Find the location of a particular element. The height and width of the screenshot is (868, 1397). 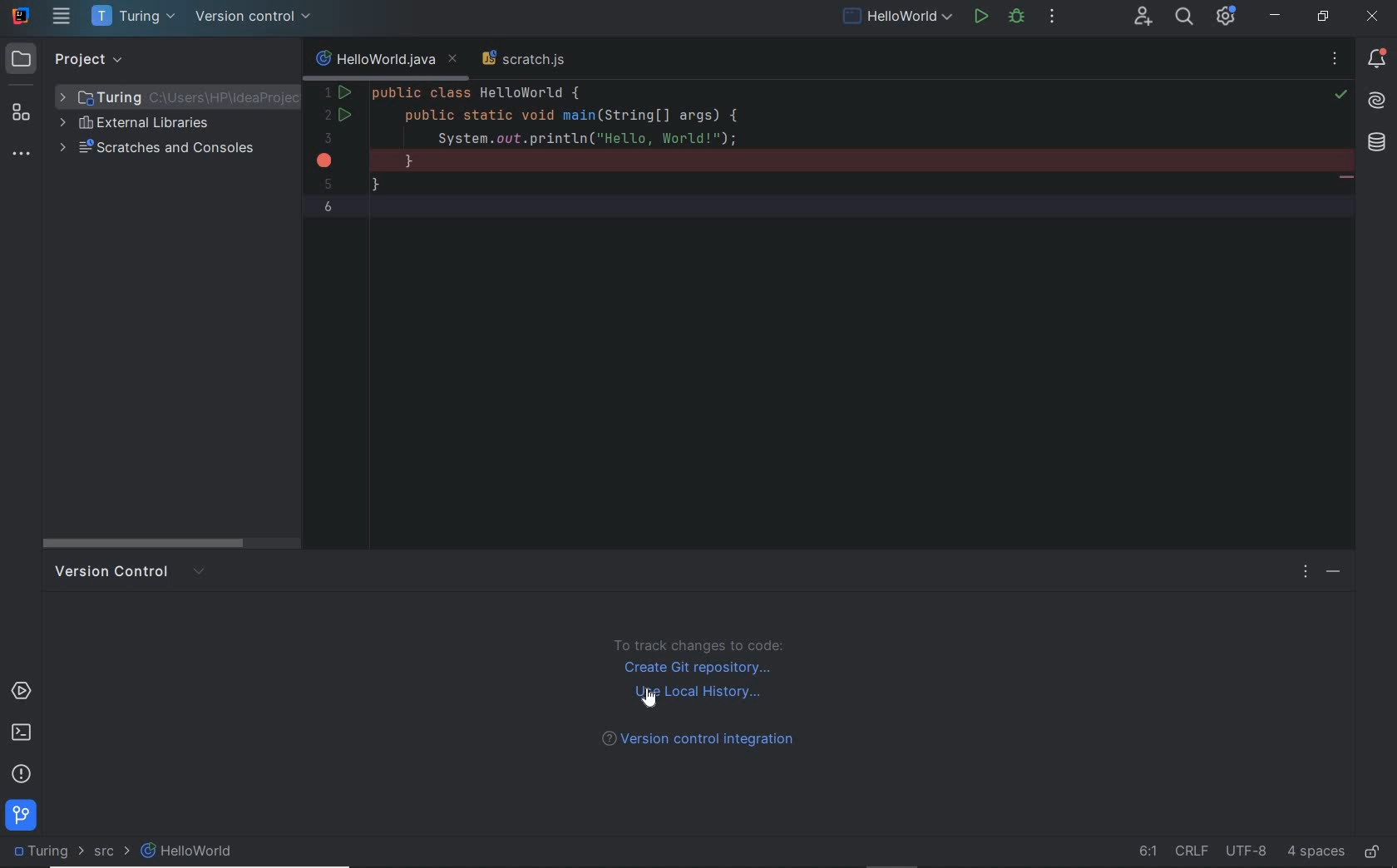

options is located at coordinates (1306, 575).